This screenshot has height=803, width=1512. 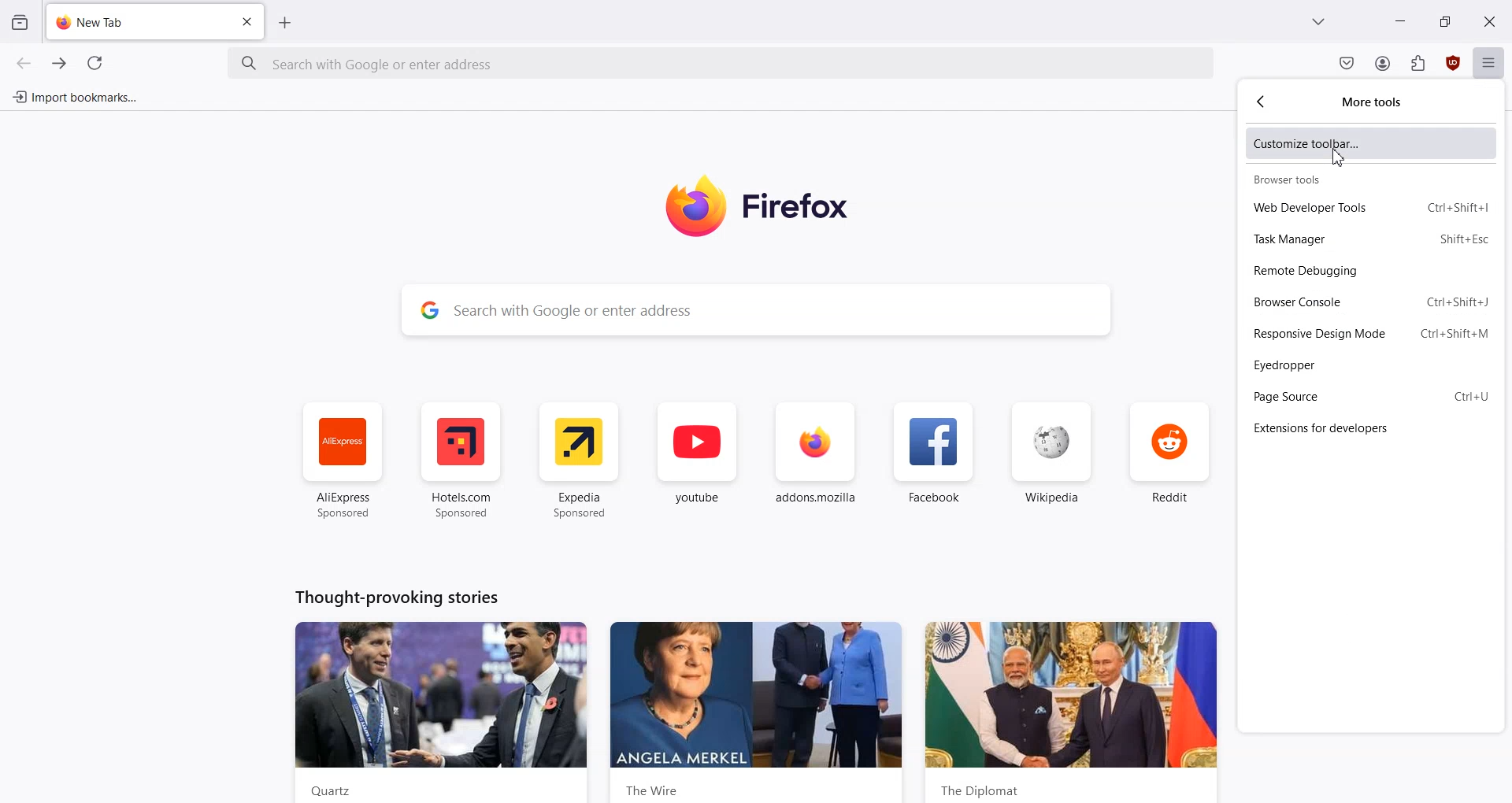 I want to click on Task Manager, so click(x=1334, y=240).